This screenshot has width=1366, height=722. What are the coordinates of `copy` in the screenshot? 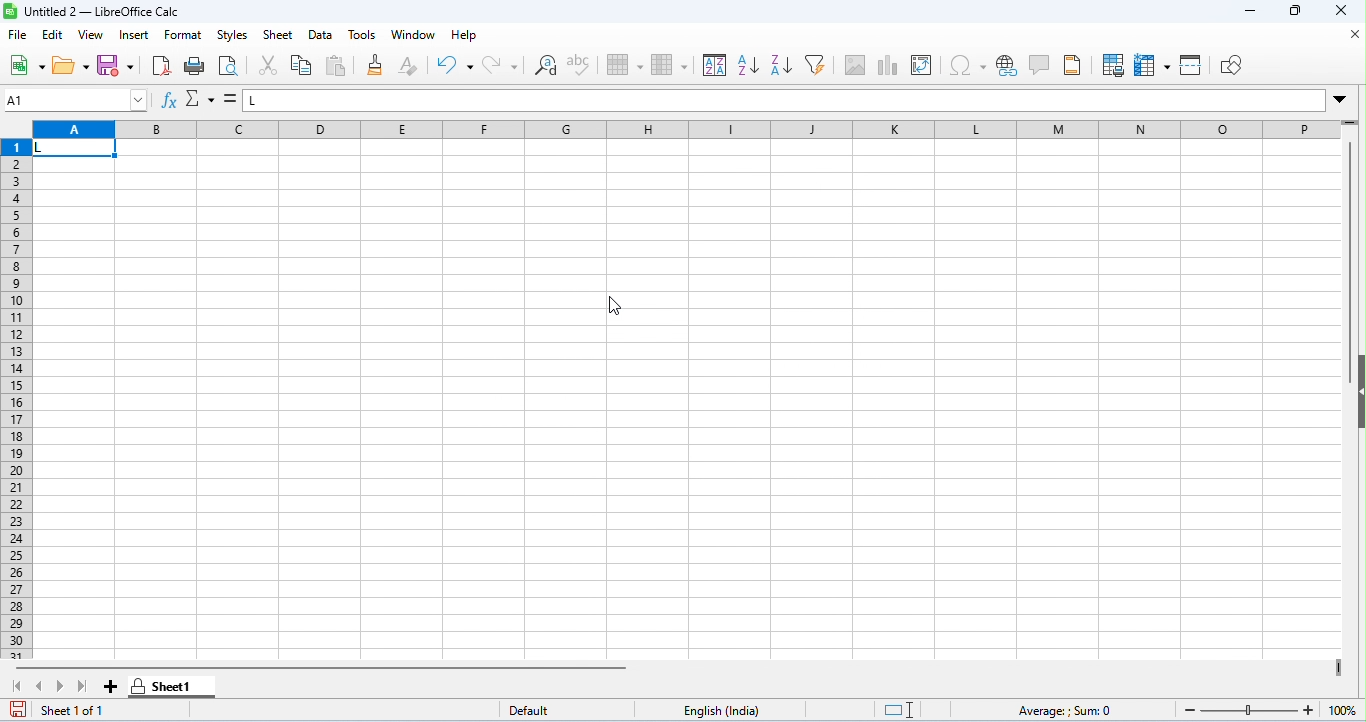 It's located at (301, 65).